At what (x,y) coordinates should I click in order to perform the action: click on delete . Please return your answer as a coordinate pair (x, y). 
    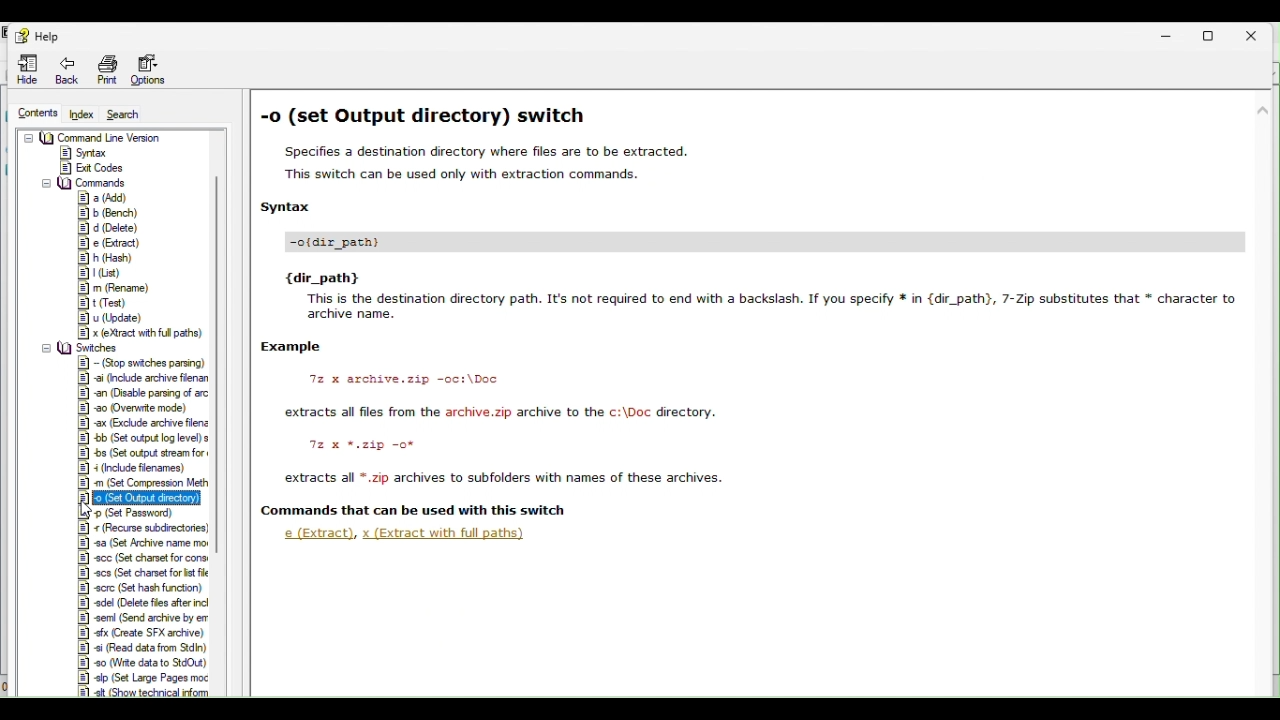
    Looking at the image, I should click on (109, 228).